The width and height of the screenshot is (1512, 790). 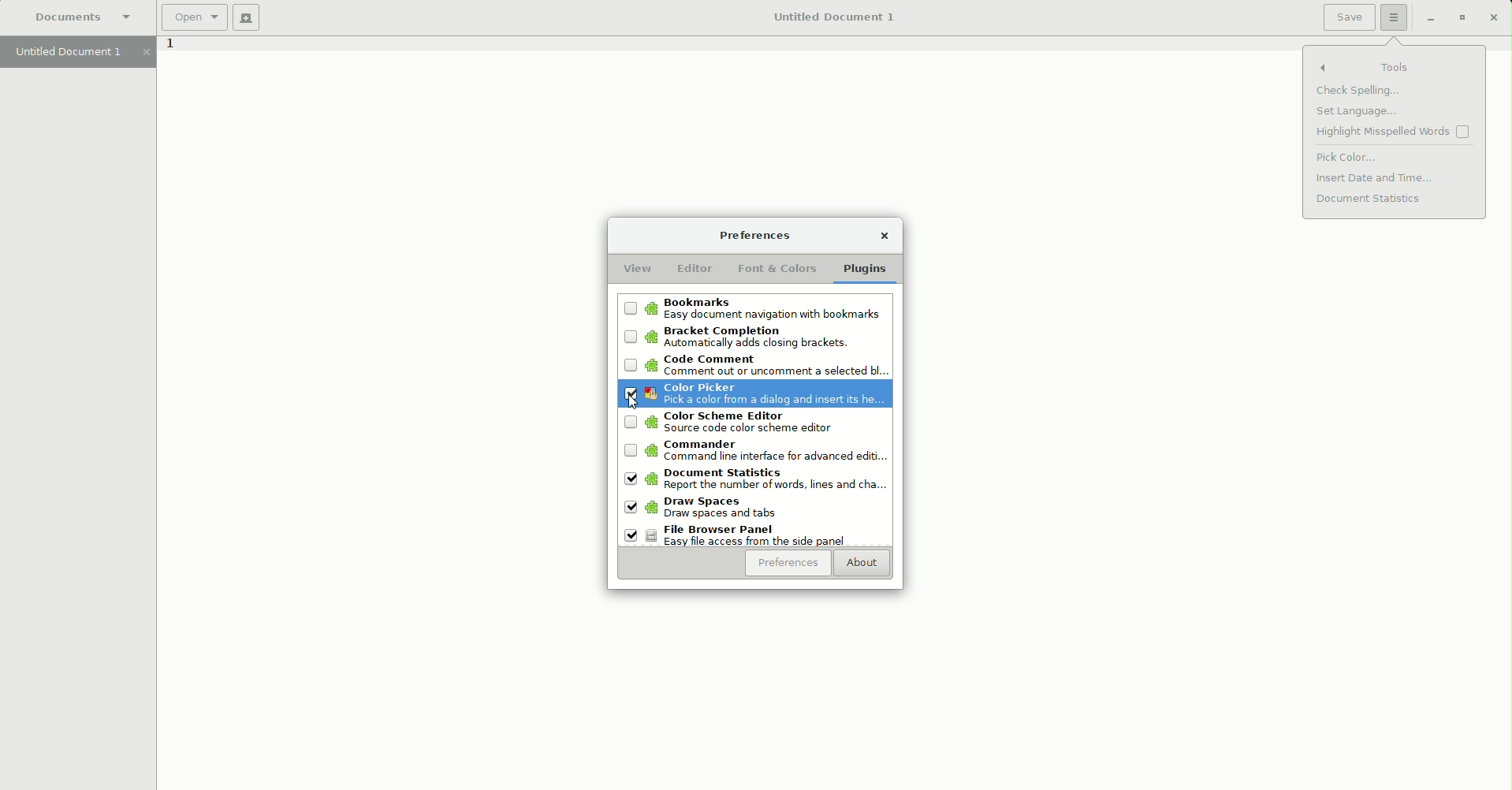 What do you see at coordinates (755, 482) in the screenshot?
I see `Document statistics: Report the number of words, lines, and cha....` at bounding box center [755, 482].